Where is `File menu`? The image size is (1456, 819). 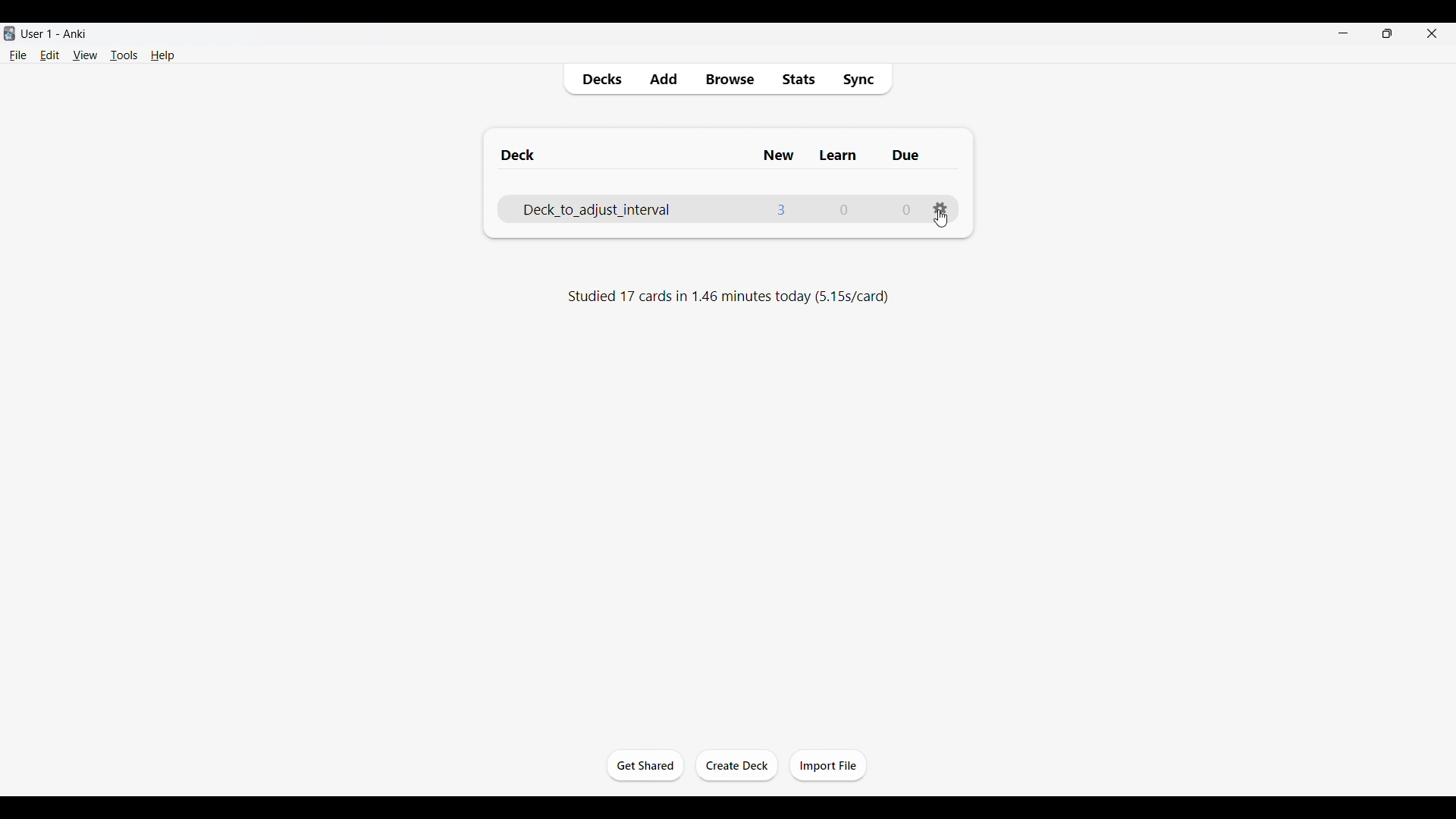 File menu is located at coordinates (17, 56).